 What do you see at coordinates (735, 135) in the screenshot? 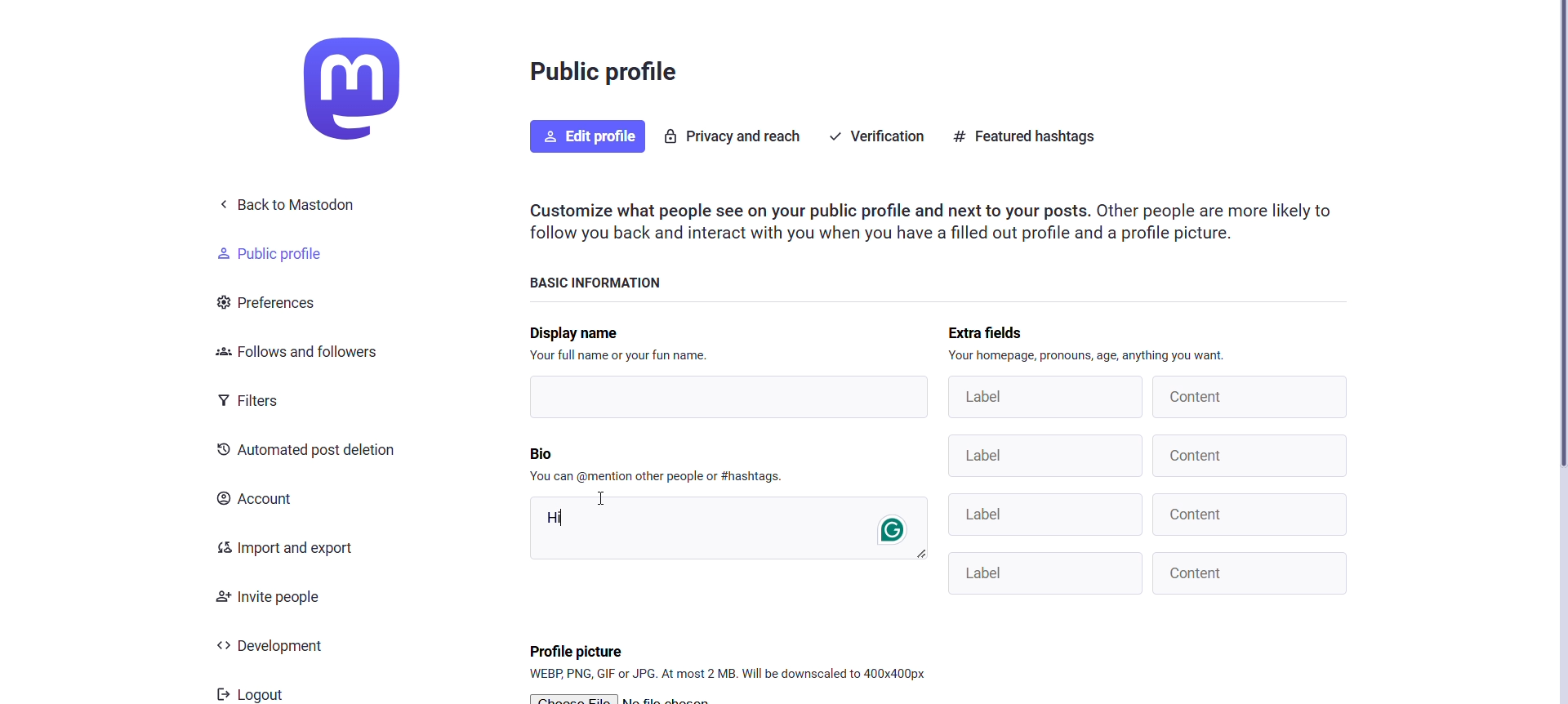
I see `Privacy and Reach` at bounding box center [735, 135].